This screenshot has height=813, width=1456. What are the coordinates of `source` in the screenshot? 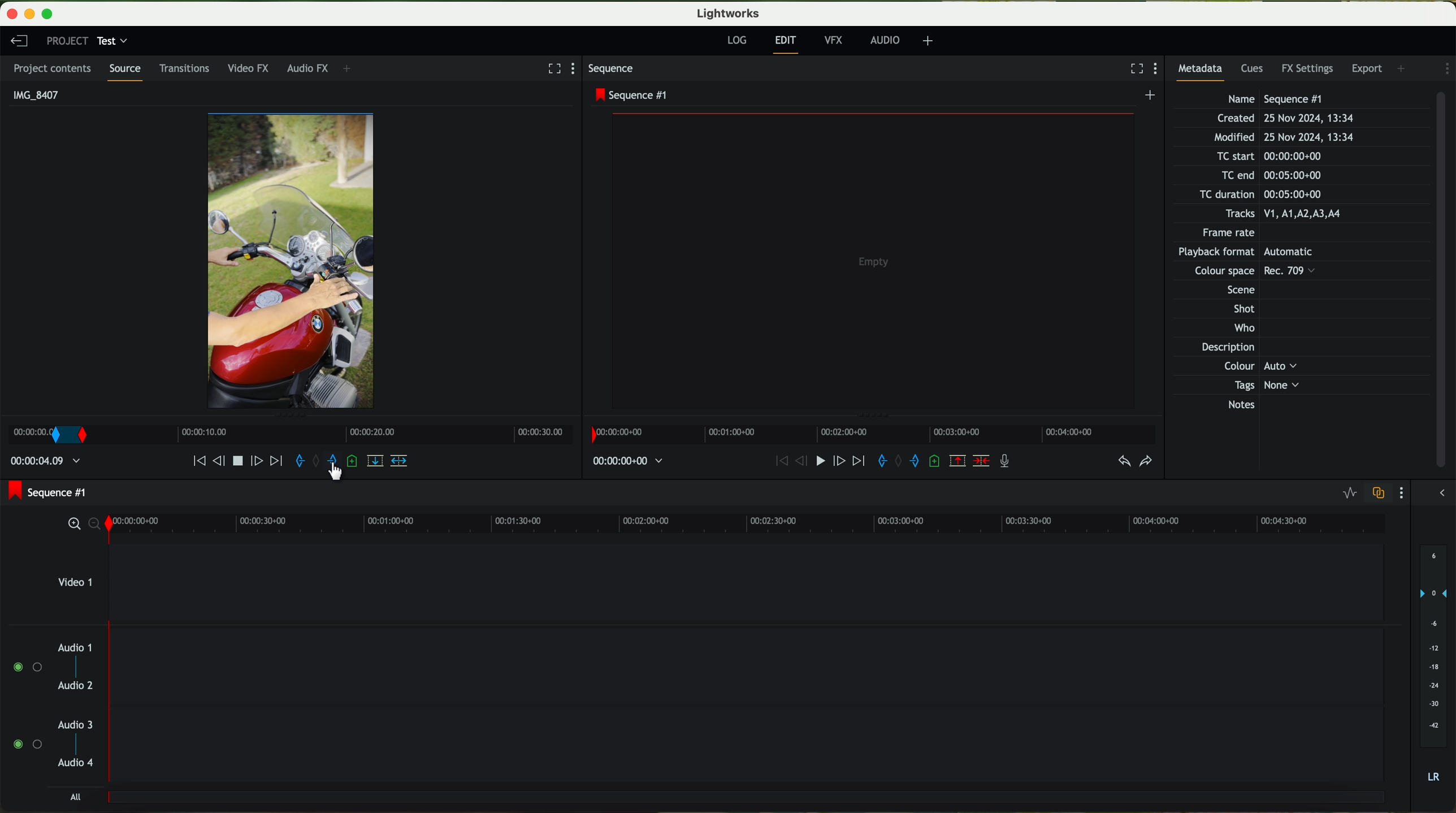 It's located at (128, 72).